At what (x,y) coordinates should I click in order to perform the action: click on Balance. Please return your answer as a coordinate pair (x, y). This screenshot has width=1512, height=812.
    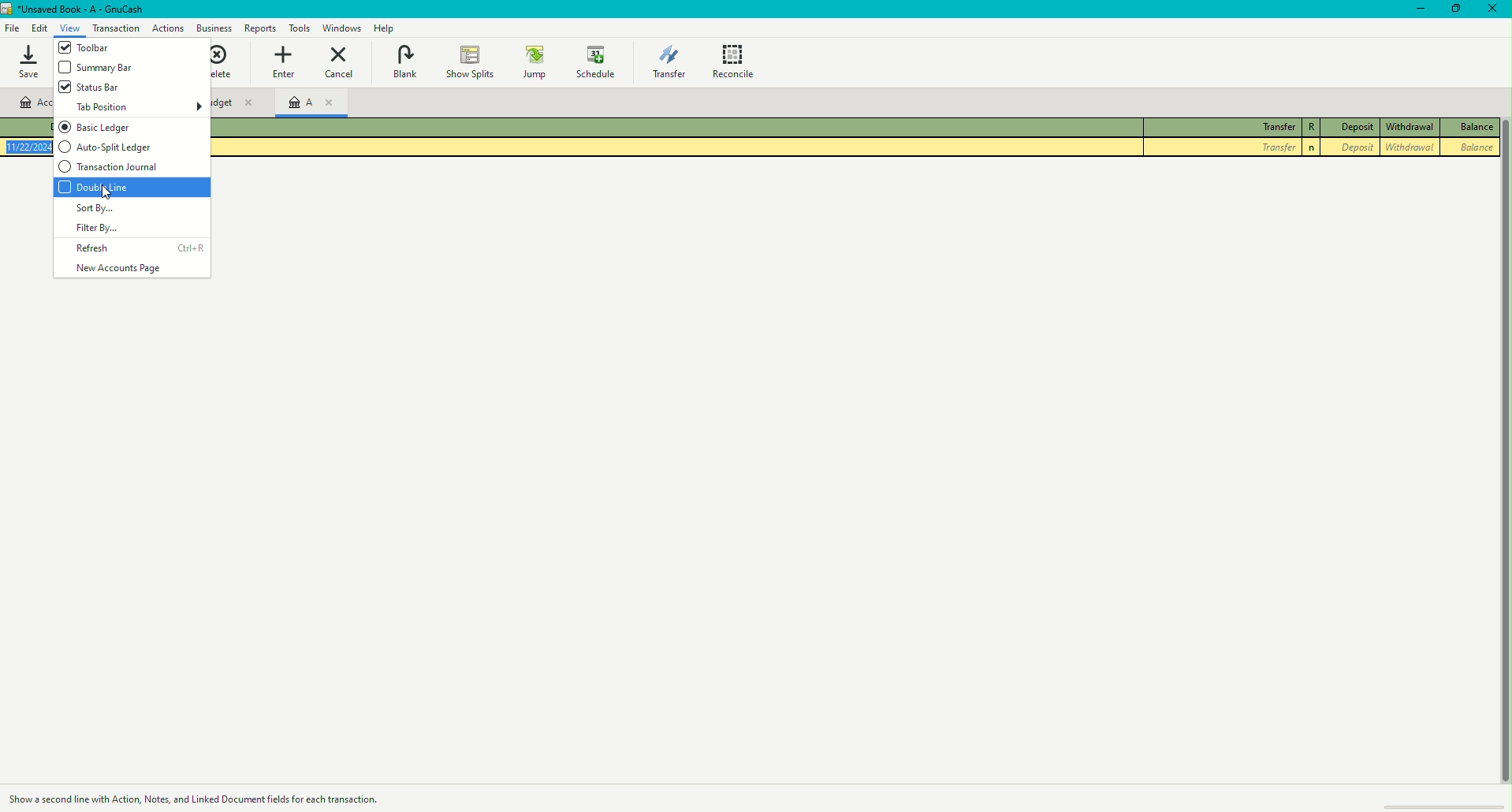
    Looking at the image, I should click on (1470, 126).